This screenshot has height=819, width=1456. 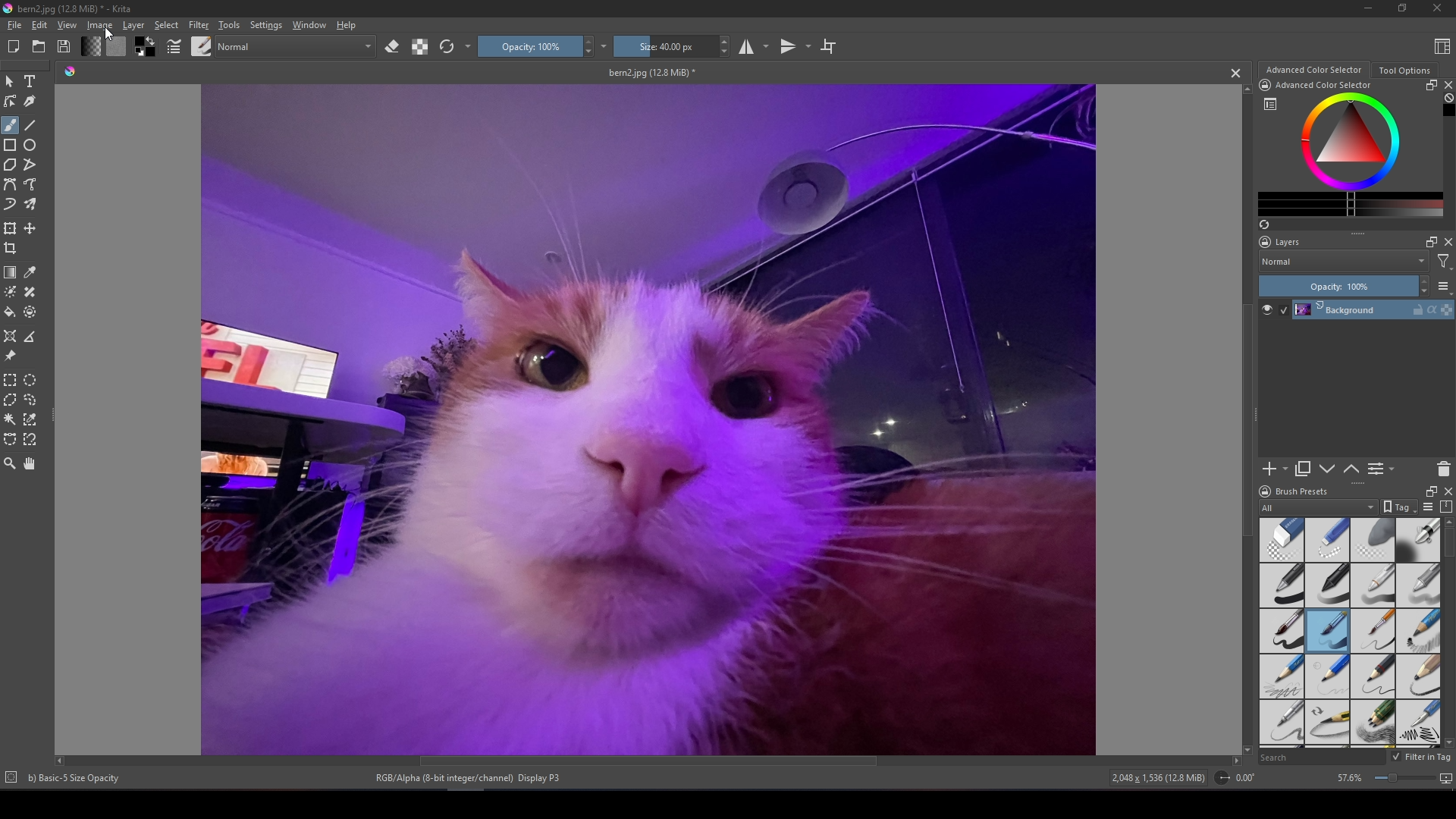 I want to click on Calligraphy, so click(x=30, y=101).